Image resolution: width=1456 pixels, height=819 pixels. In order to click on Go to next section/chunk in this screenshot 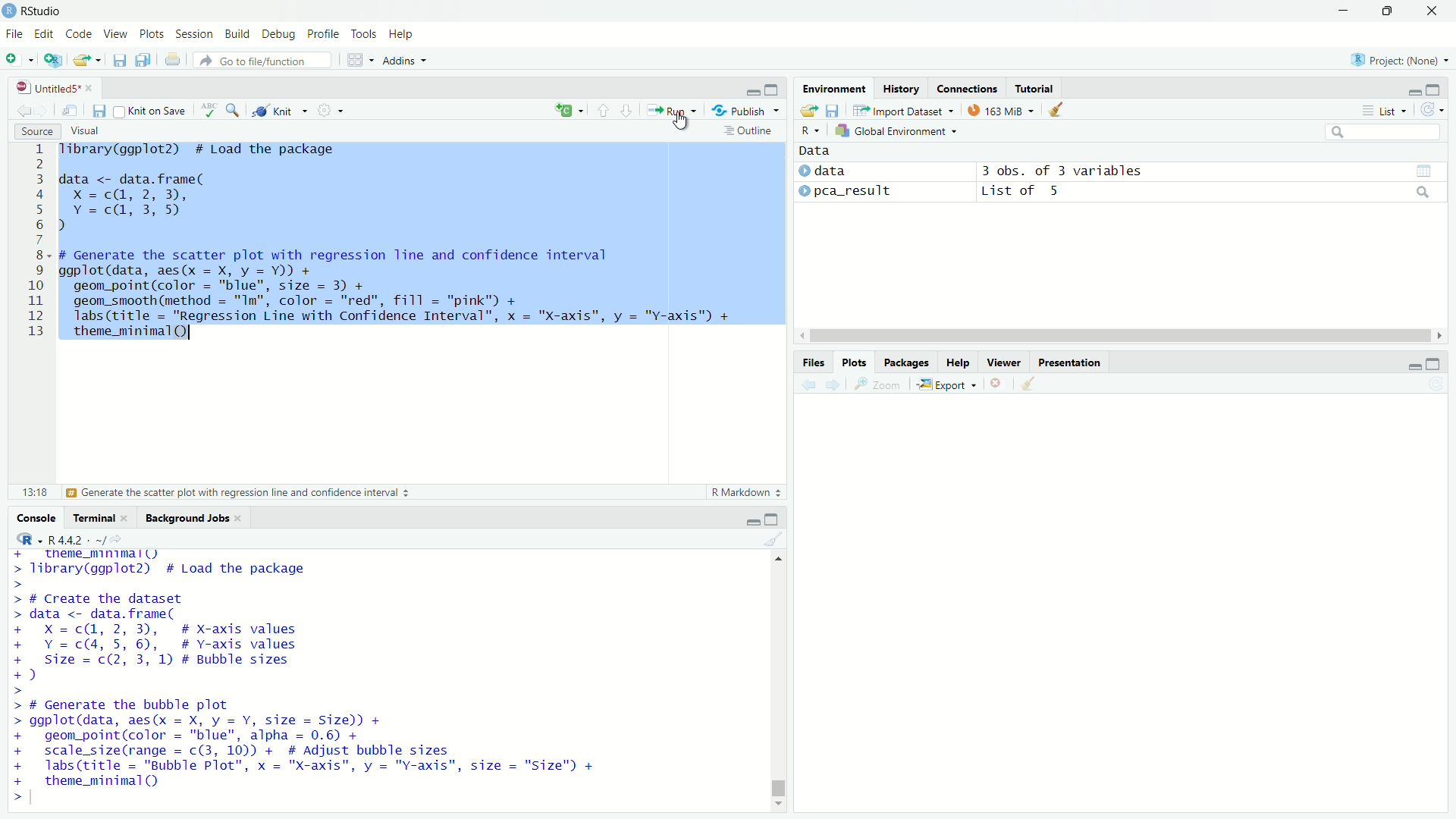, I will do `click(626, 108)`.